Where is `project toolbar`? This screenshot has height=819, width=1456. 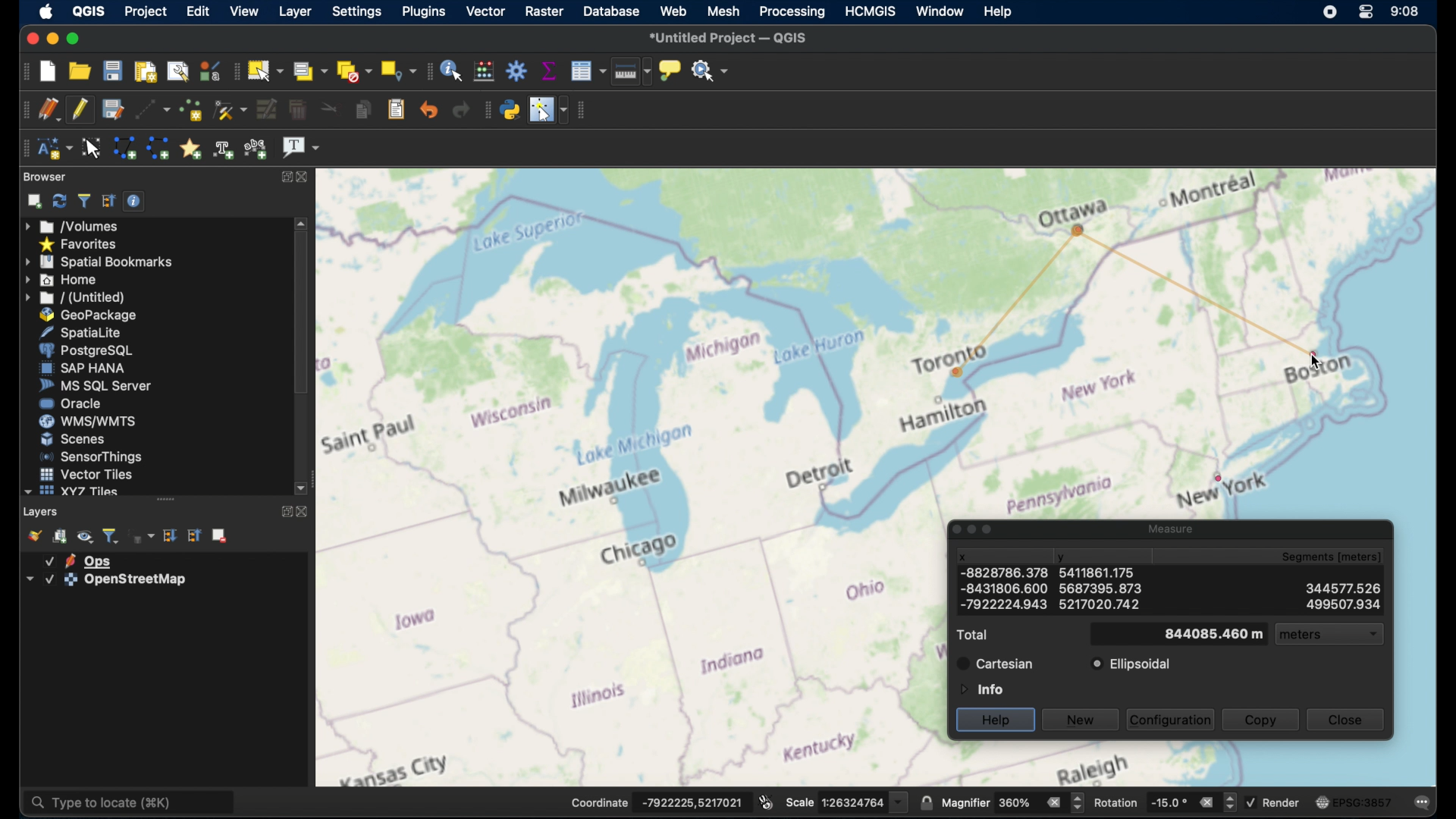 project toolbar is located at coordinates (20, 71).